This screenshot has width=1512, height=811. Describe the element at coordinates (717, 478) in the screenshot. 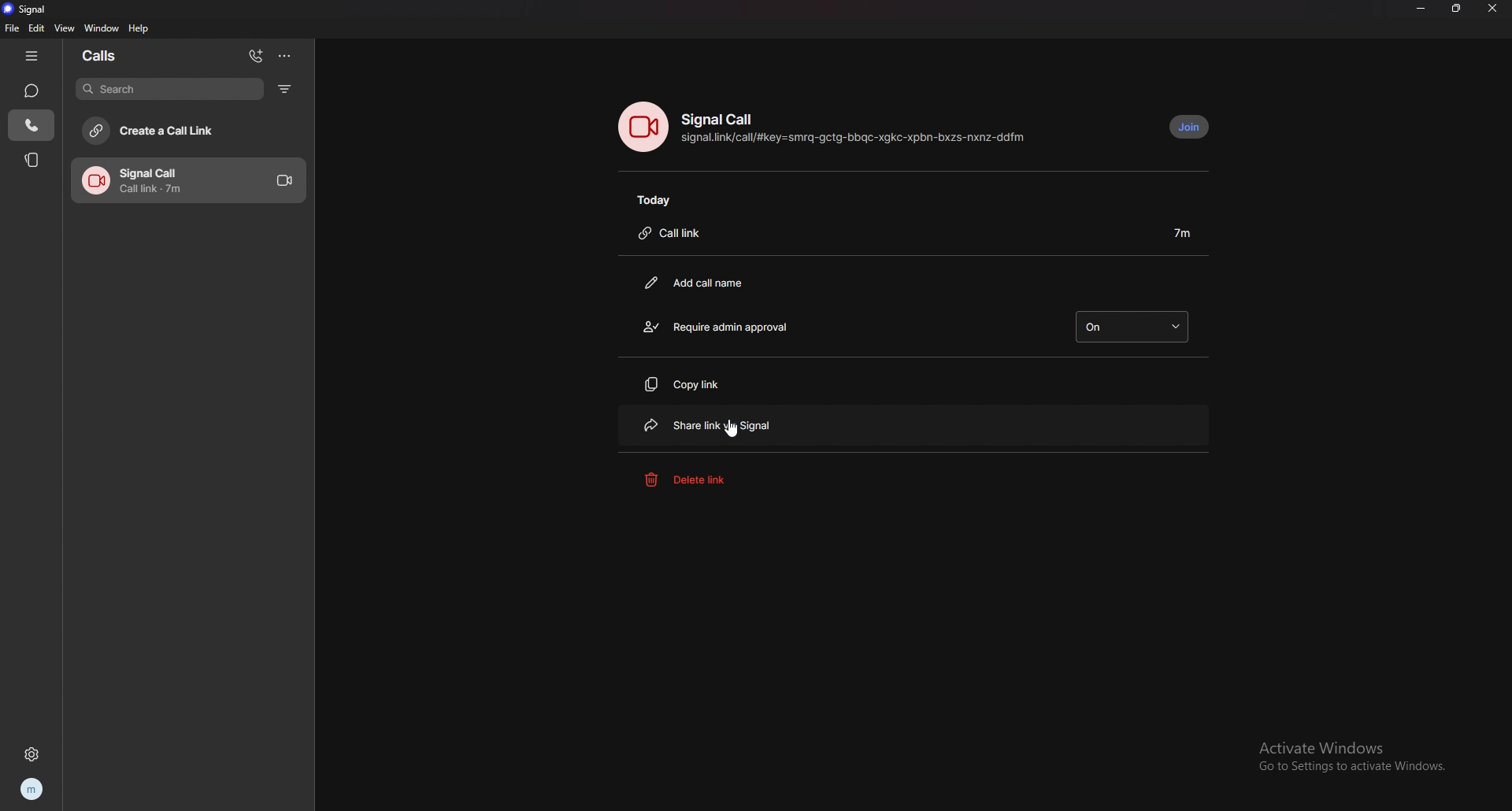

I see `delete link` at that location.